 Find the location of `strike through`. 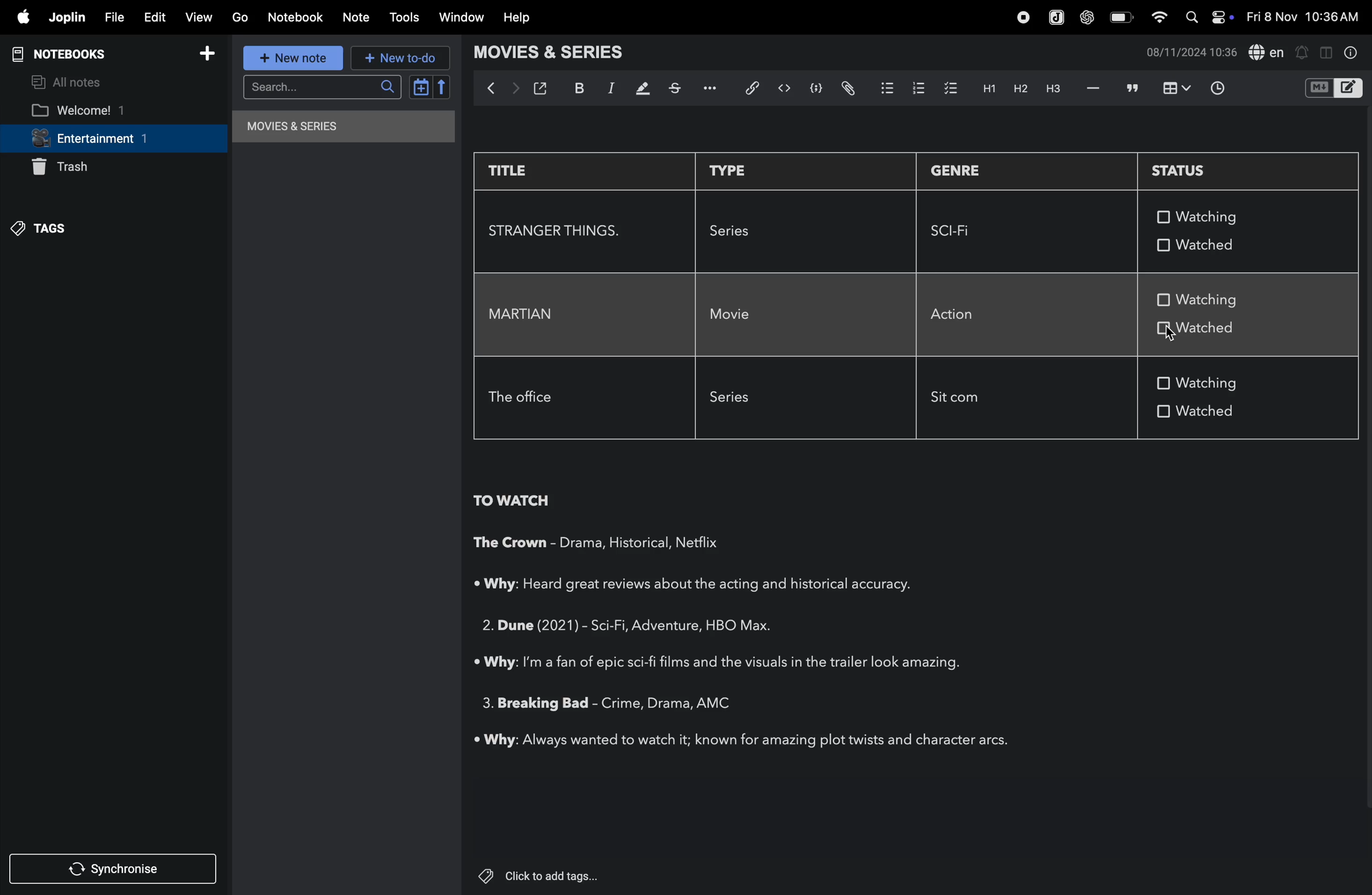

strike through is located at coordinates (679, 88).